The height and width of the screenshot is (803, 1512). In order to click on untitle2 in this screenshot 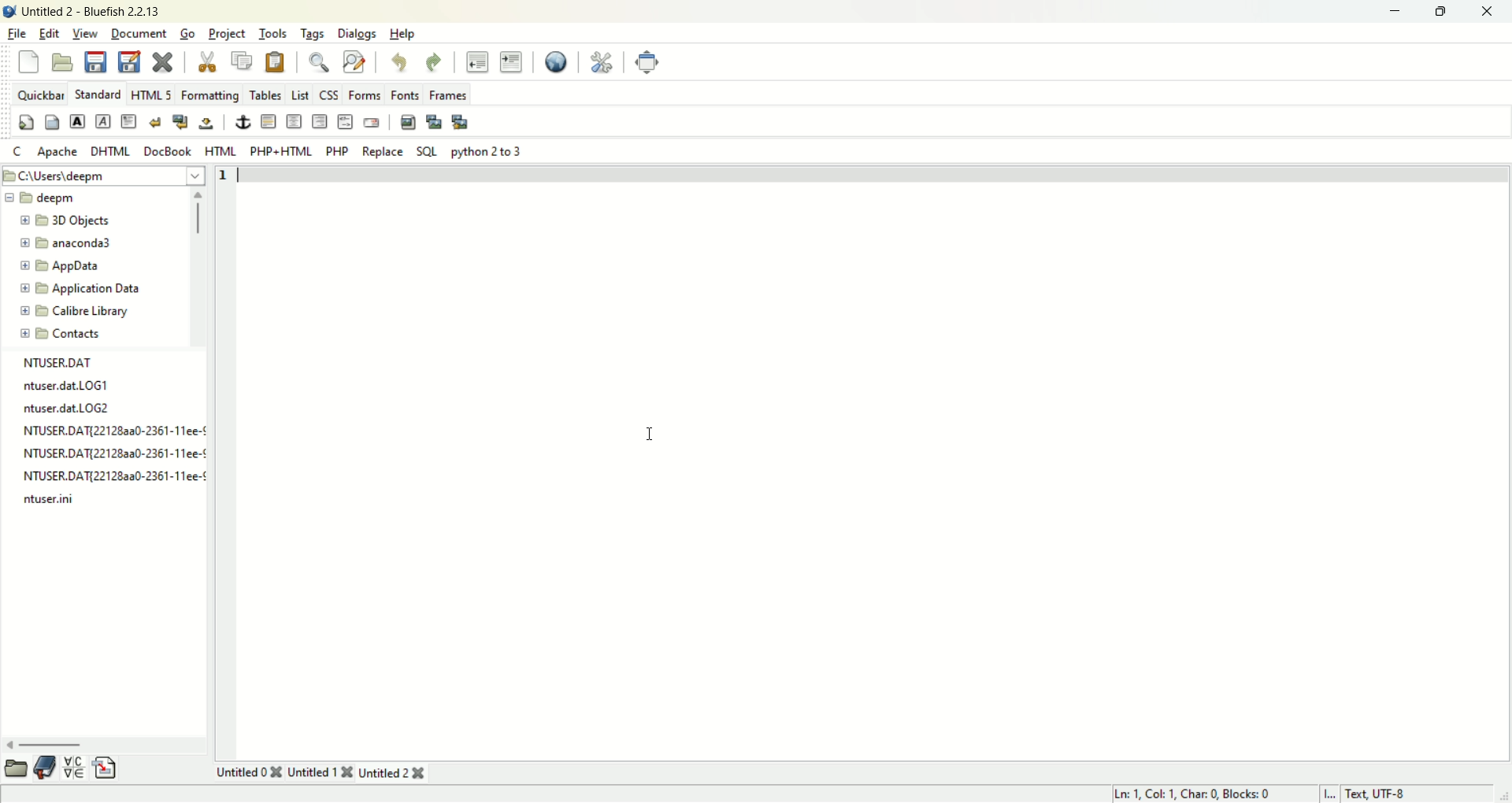, I will do `click(395, 773)`.